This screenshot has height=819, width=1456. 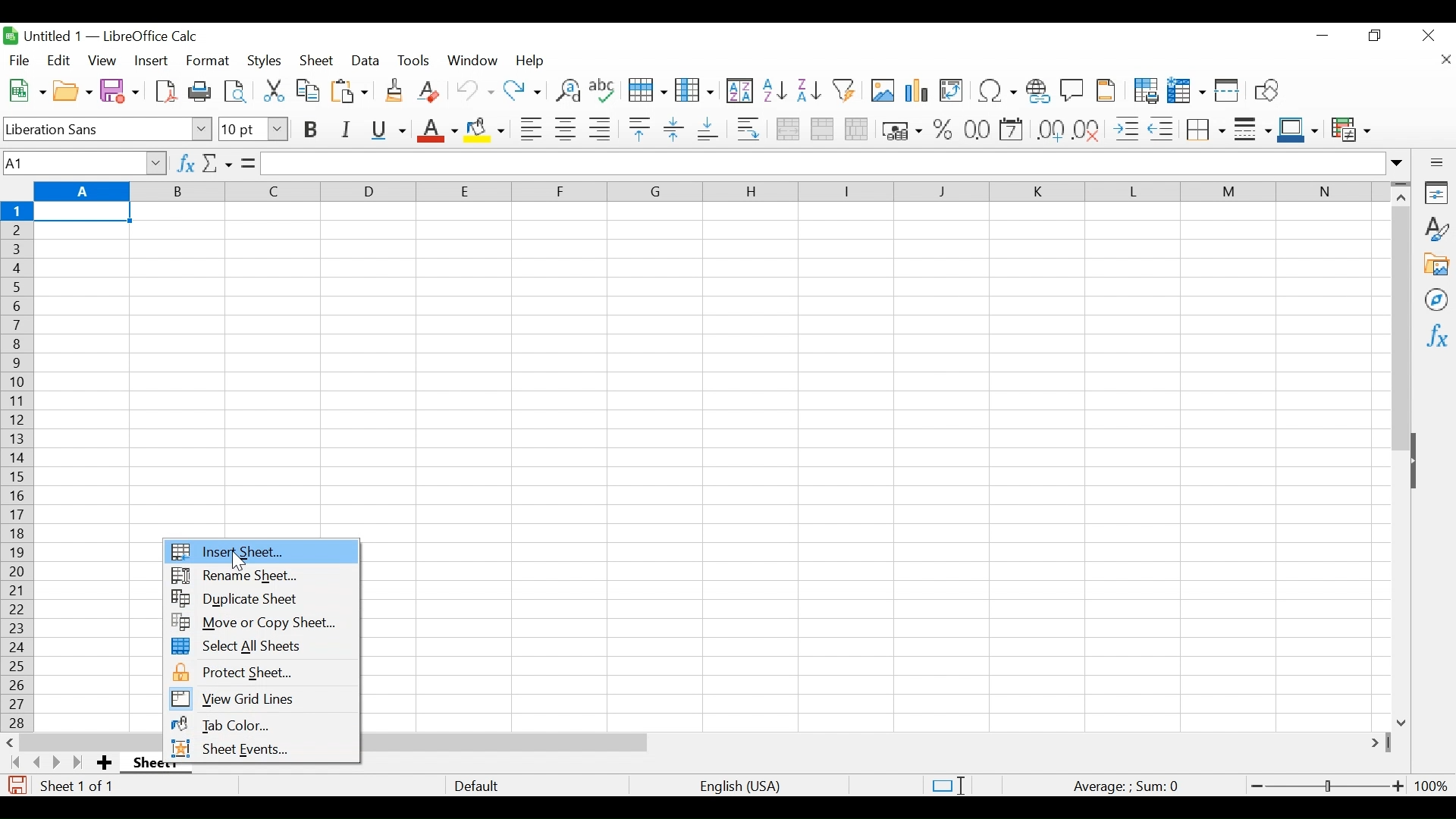 What do you see at coordinates (1431, 784) in the screenshot?
I see `100%` at bounding box center [1431, 784].